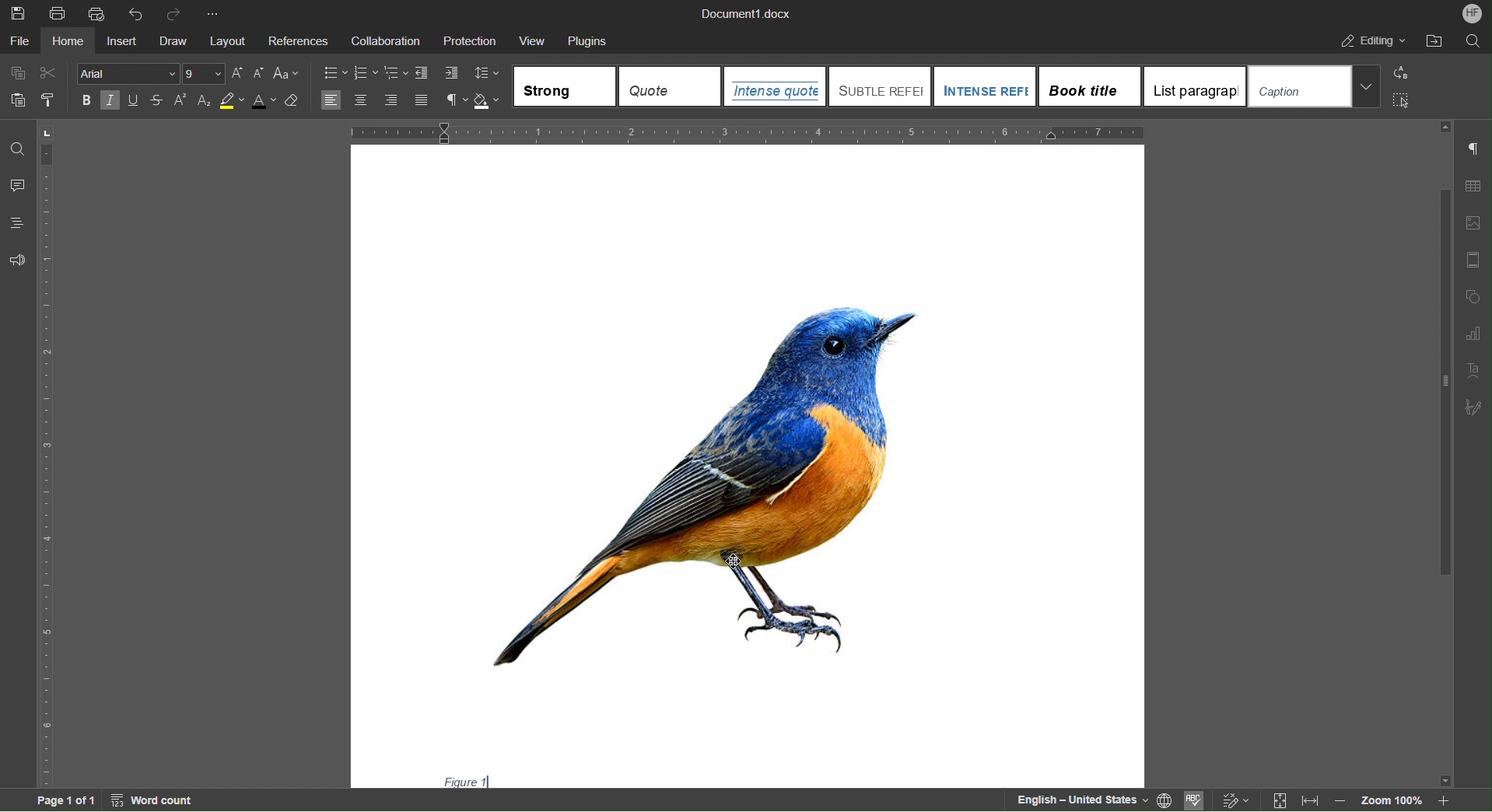  I want to click on Figure 1, so click(461, 779).